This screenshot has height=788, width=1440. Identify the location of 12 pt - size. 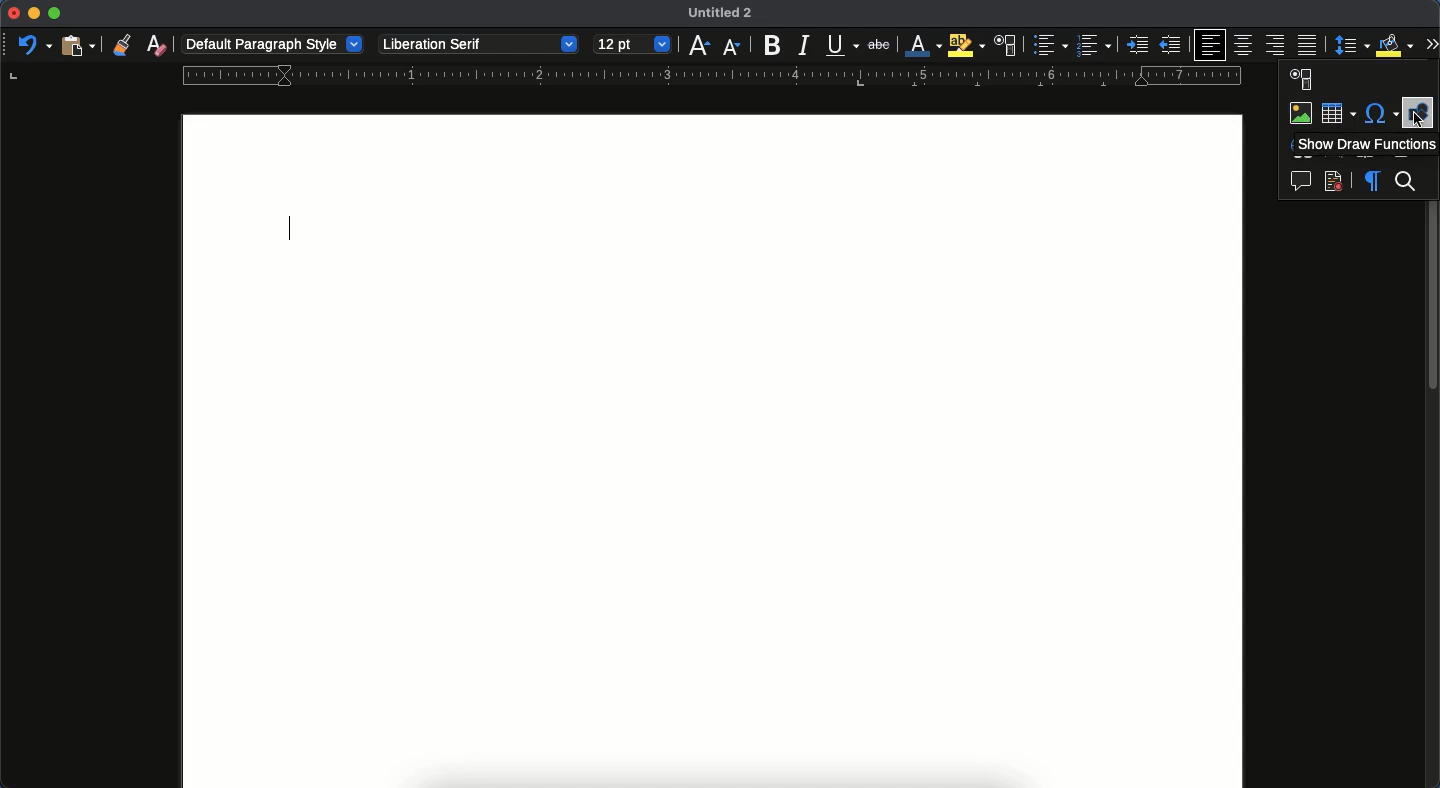
(634, 45).